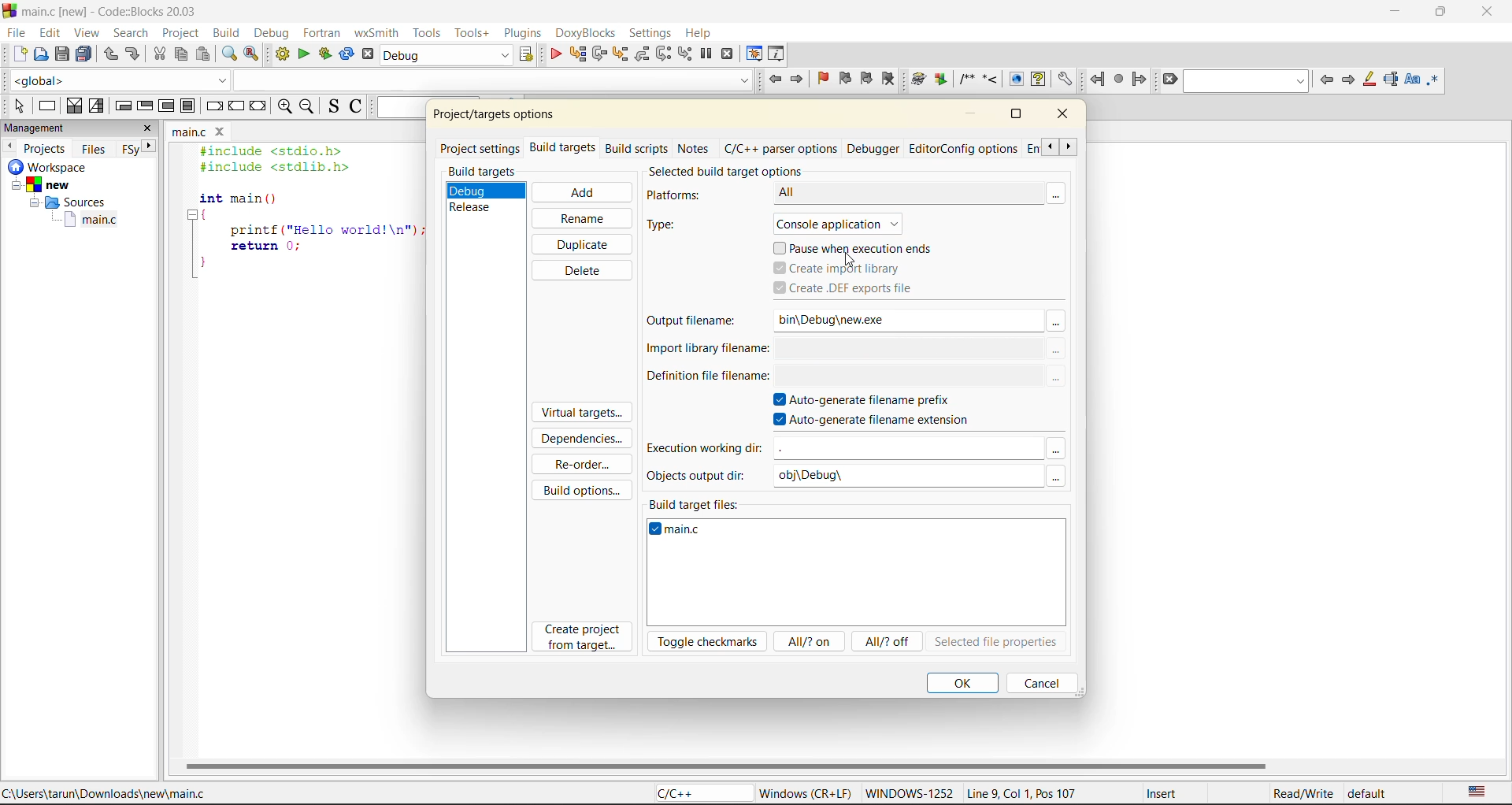  I want to click on WINDOWS-1252, so click(908, 795).